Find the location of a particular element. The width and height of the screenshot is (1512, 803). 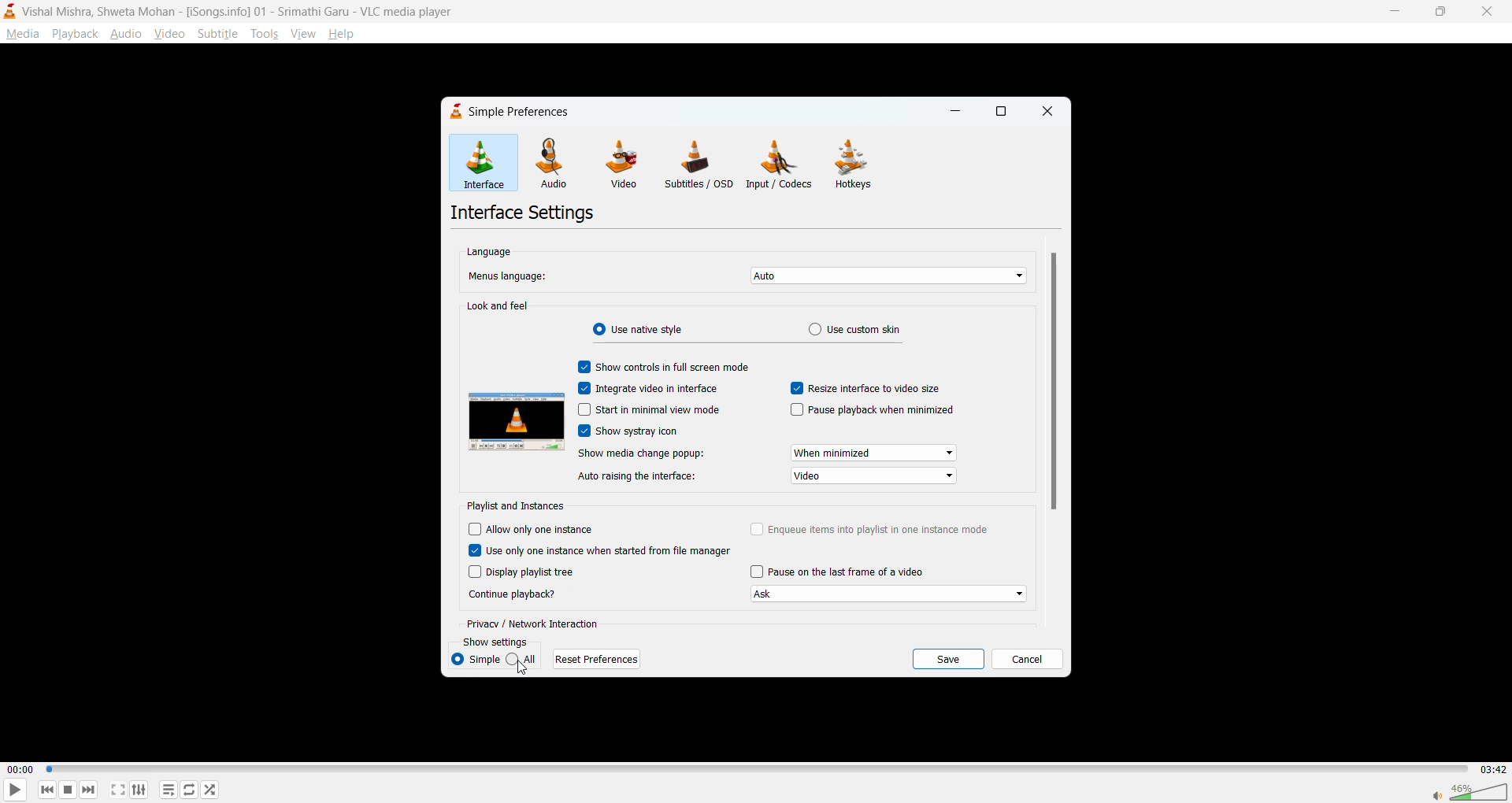

track slider is located at coordinates (754, 770).